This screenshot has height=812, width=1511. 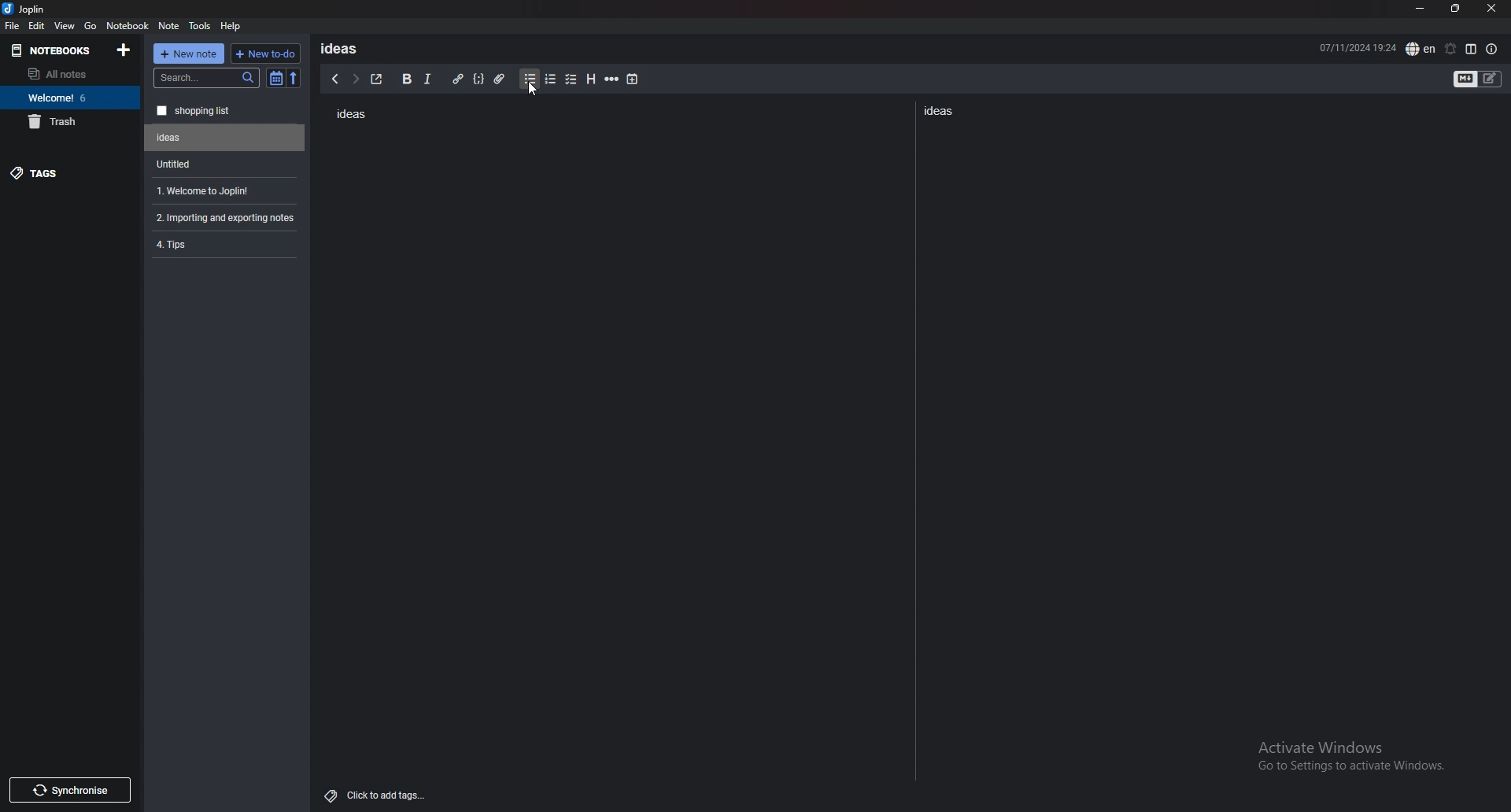 What do you see at coordinates (189, 54) in the screenshot?
I see `new note` at bounding box center [189, 54].